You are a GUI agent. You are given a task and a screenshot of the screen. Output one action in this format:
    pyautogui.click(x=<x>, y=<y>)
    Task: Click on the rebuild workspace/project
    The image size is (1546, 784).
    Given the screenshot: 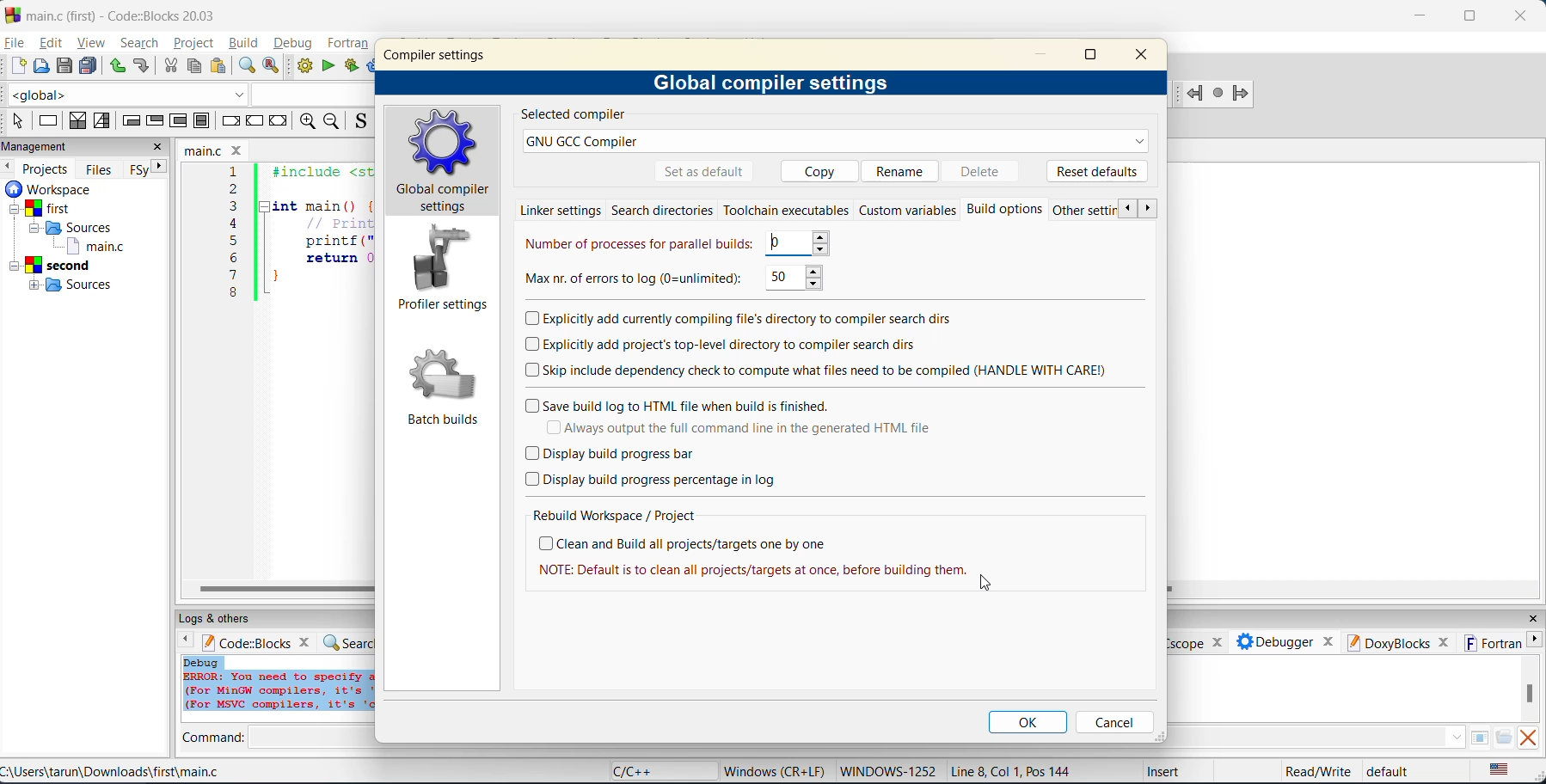 What is the action you would take?
    pyautogui.click(x=615, y=515)
    